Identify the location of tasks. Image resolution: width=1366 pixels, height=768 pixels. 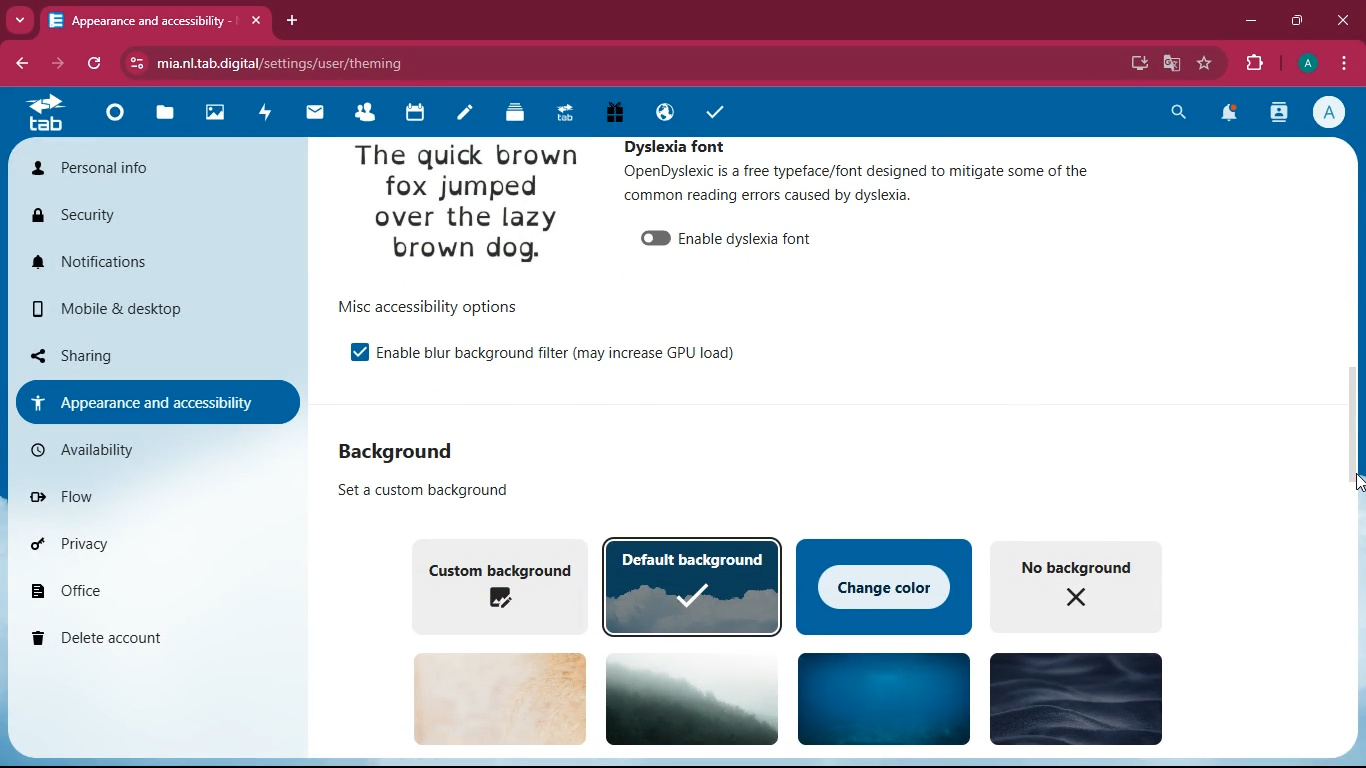
(714, 113).